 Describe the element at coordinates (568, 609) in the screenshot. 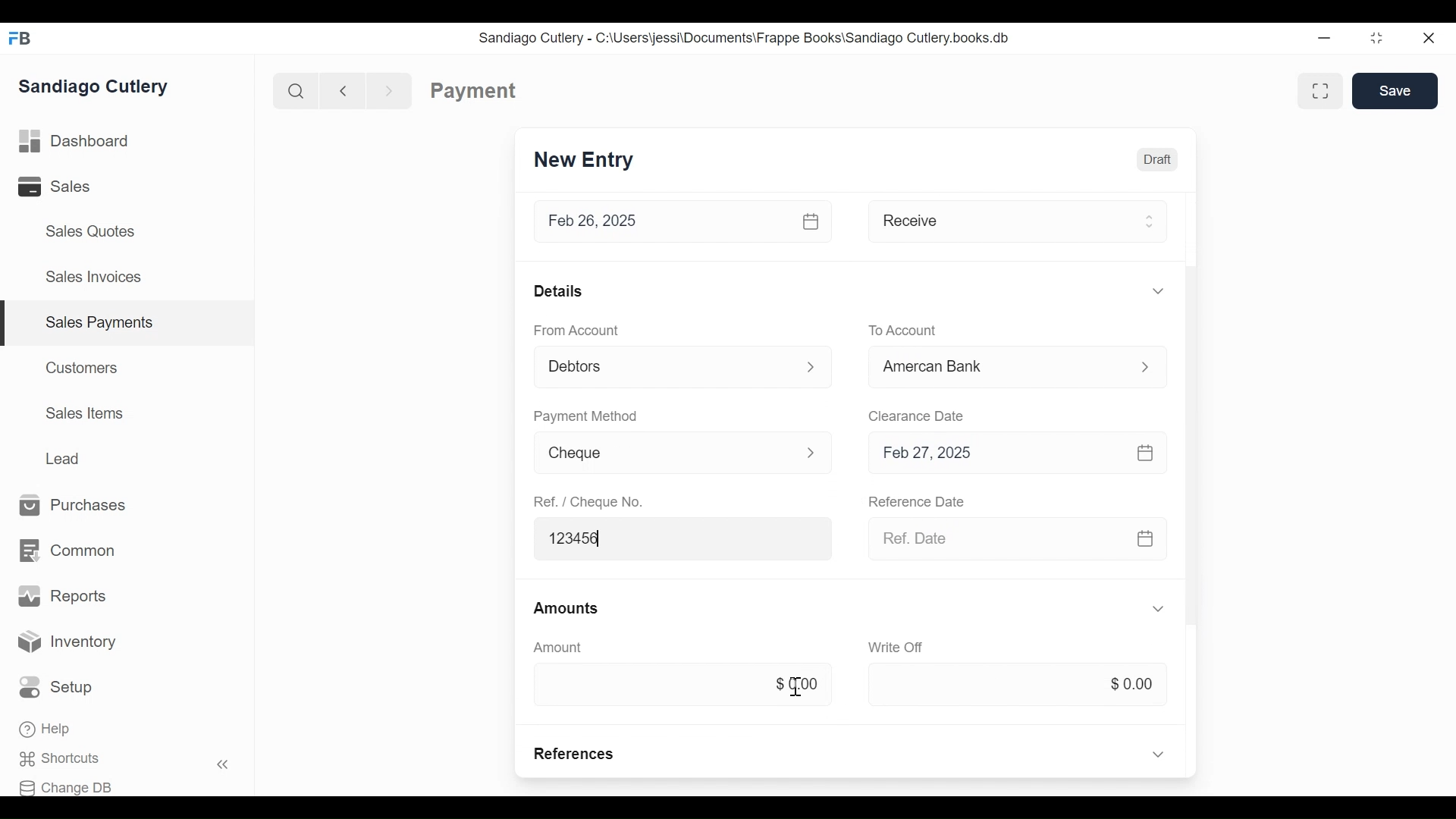

I see `Amounts` at that location.